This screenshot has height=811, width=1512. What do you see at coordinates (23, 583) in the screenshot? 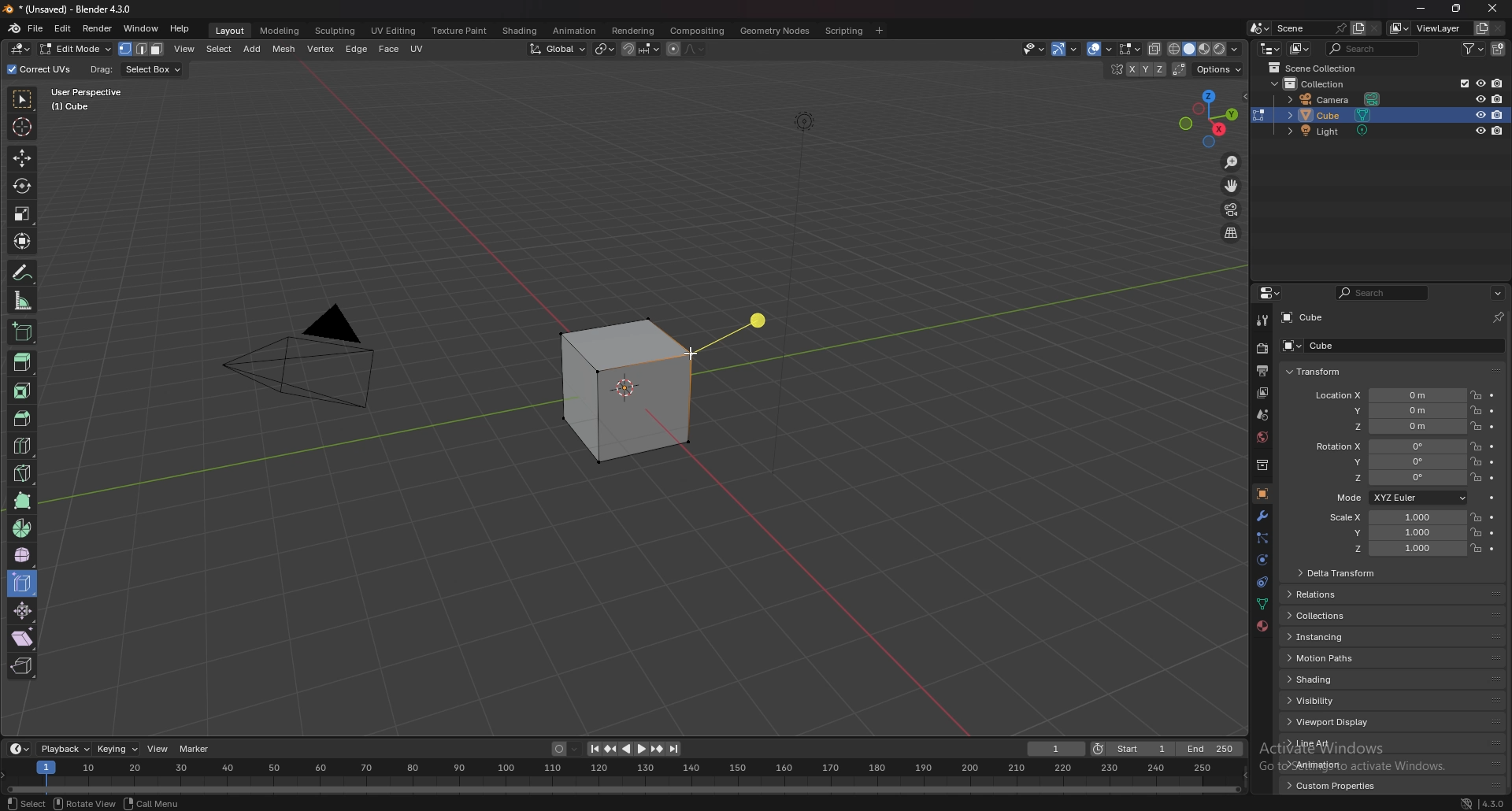
I see `edge slide` at bounding box center [23, 583].